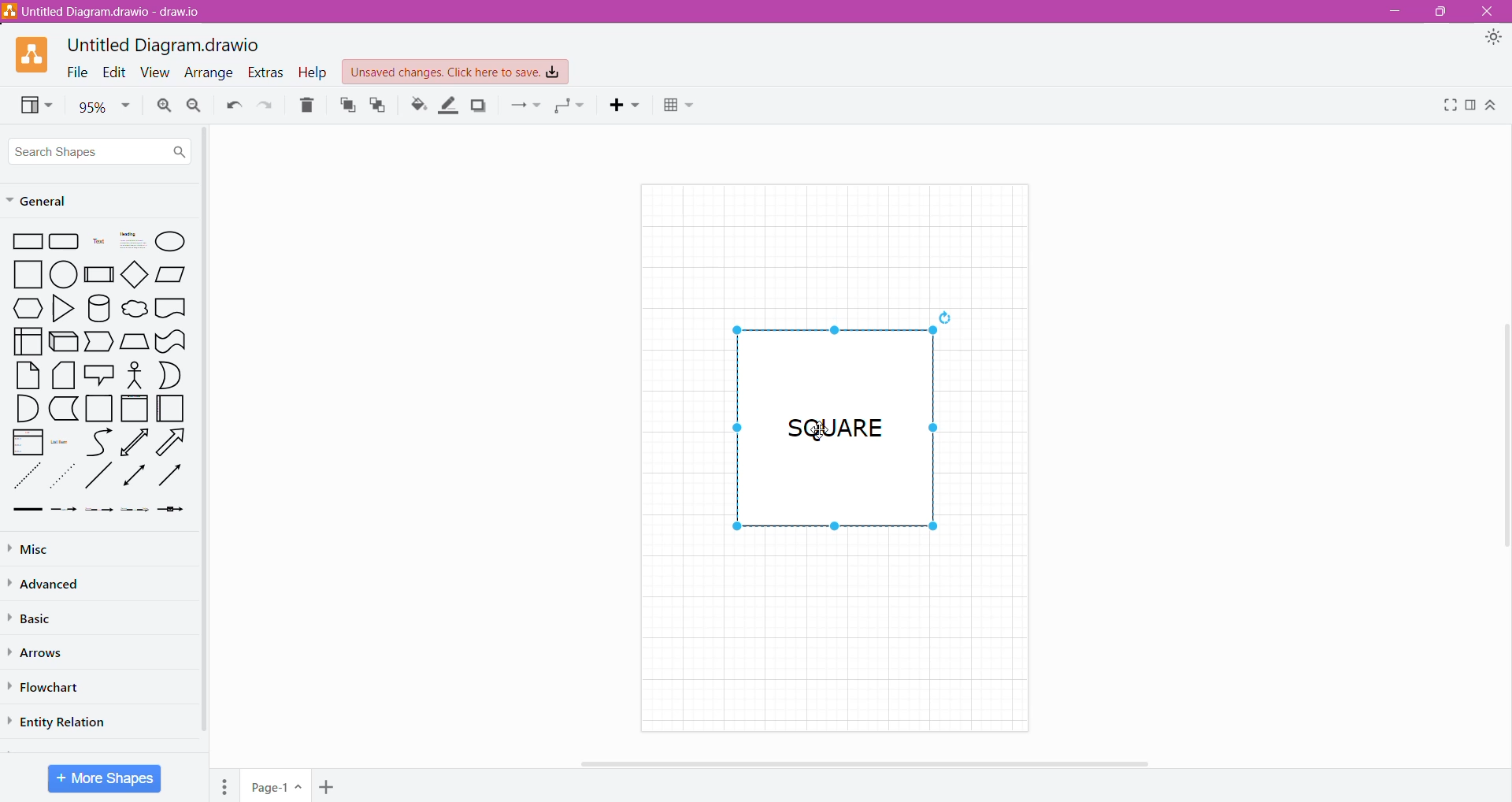  Describe the element at coordinates (109, 11) in the screenshot. I see `Diagram Title.draw.io - Application Name` at that location.